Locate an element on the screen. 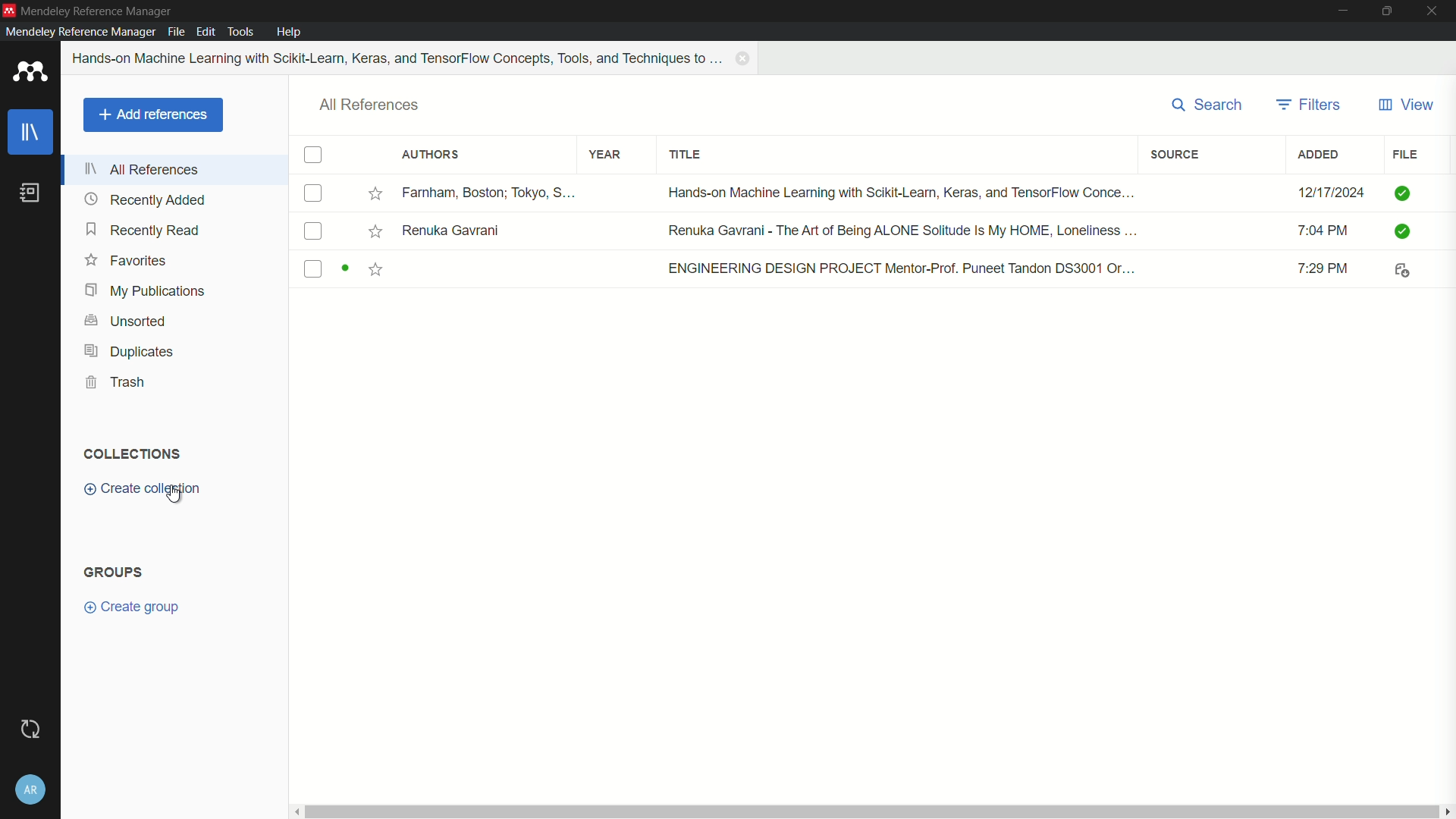  close book is located at coordinates (745, 58).